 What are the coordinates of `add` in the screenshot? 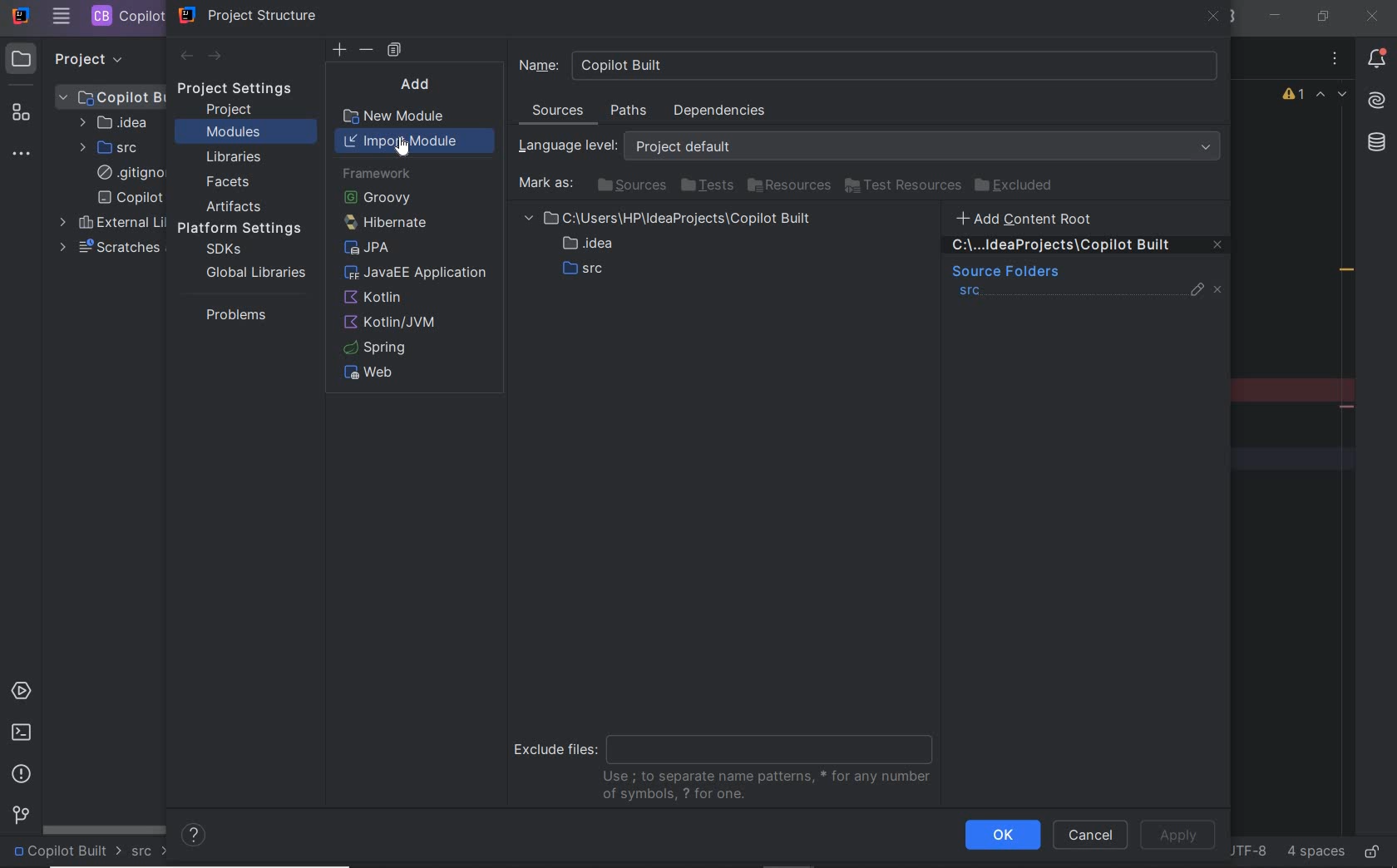 It's located at (339, 50).